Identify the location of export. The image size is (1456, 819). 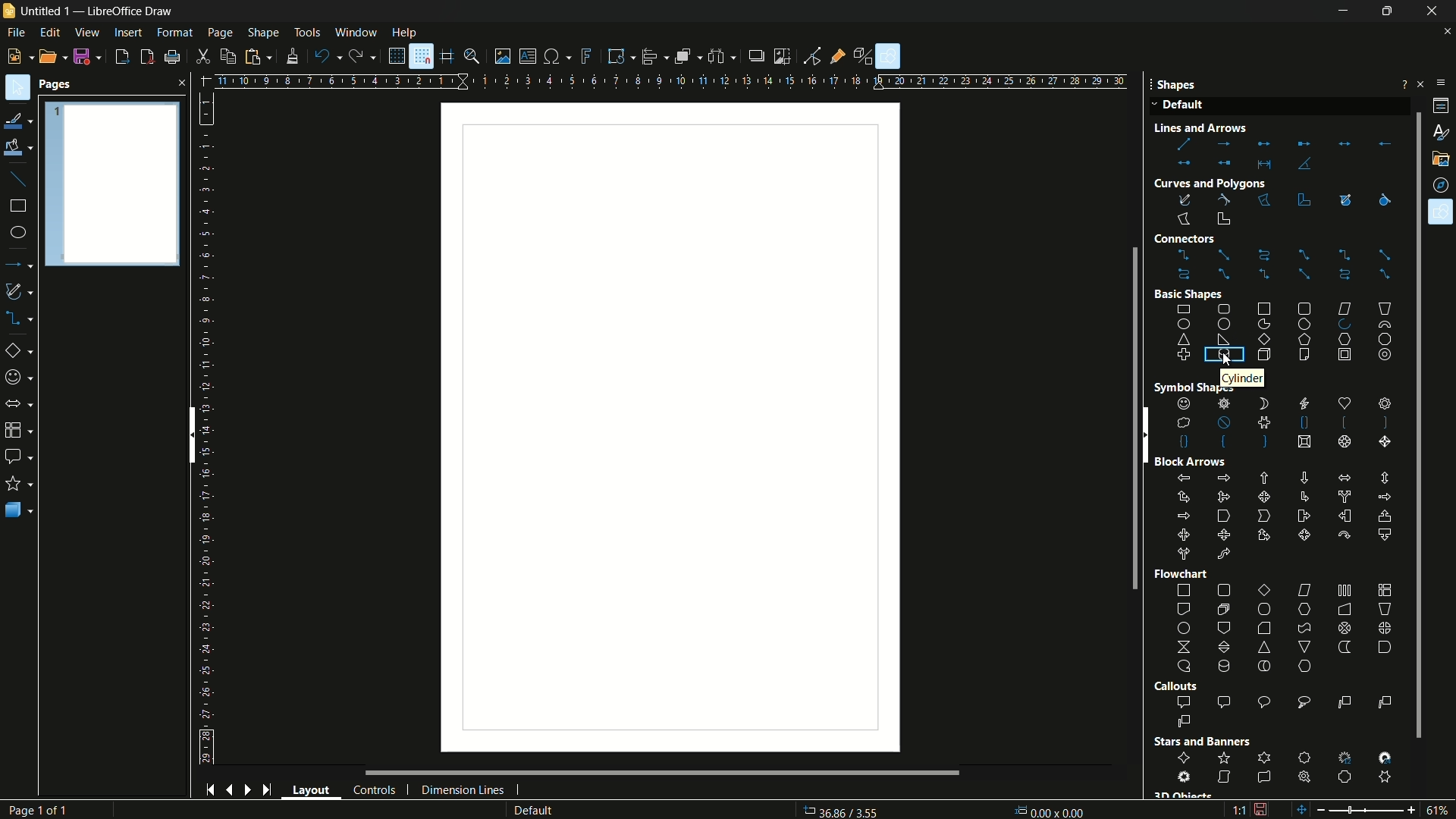
(123, 58).